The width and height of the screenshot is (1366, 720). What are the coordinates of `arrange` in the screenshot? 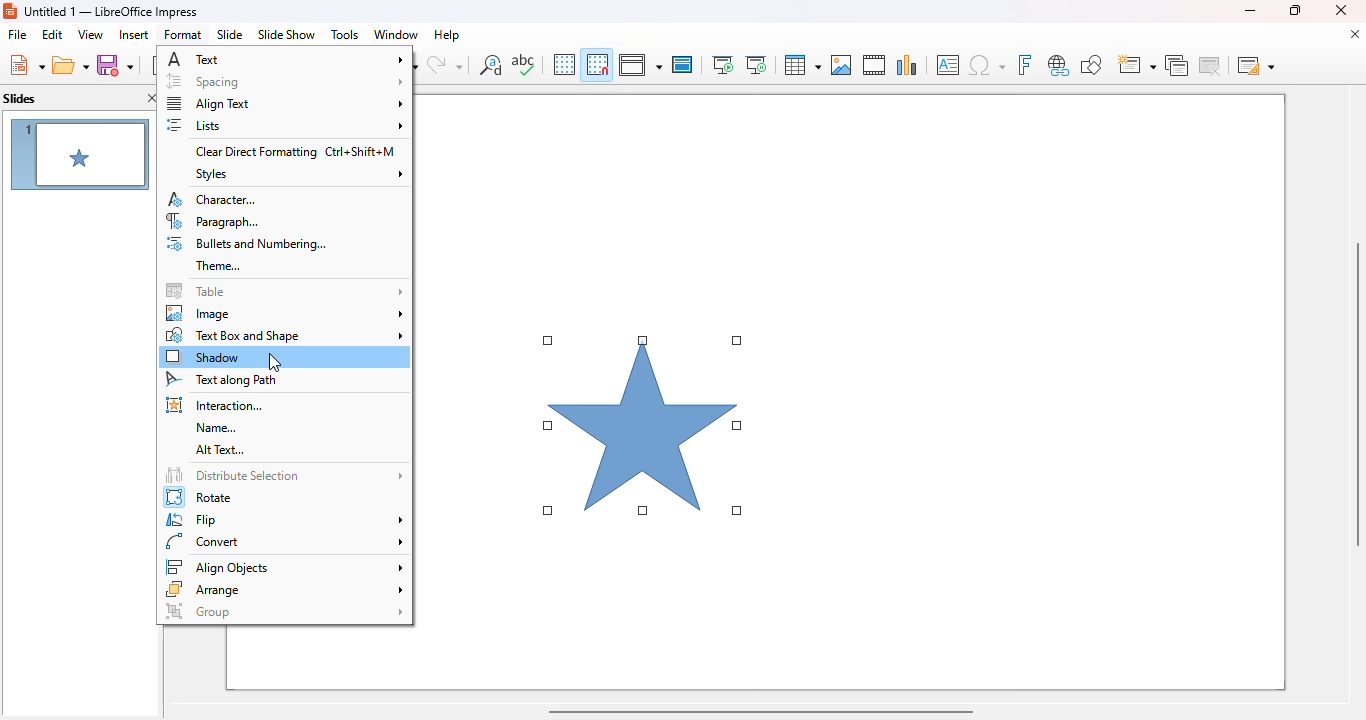 It's located at (284, 589).